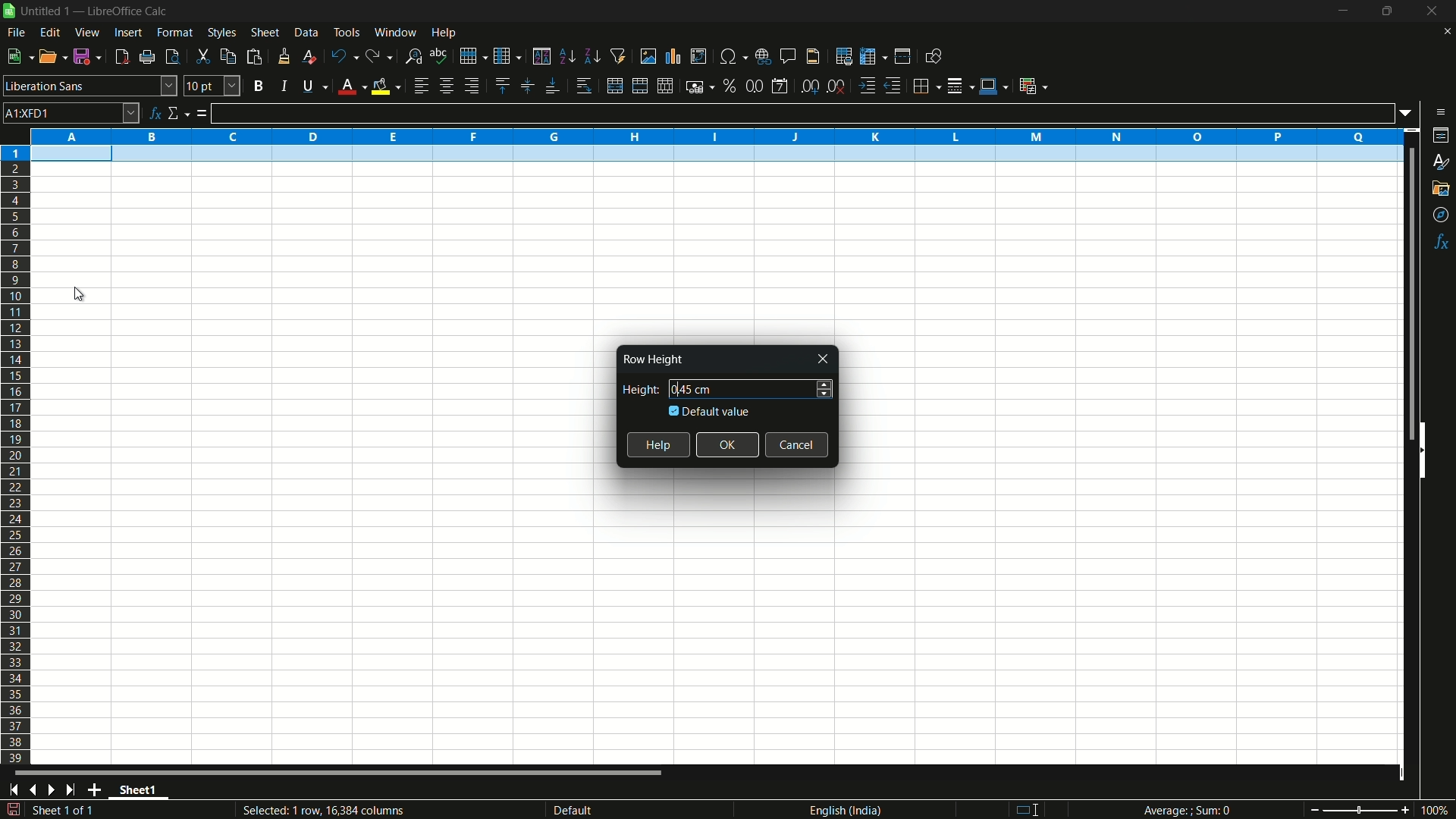 The width and height of the screenshot is (1456, 819). Describe the element at coordinates (1343, 11) in the screenshot. I see `minimize` at that location.